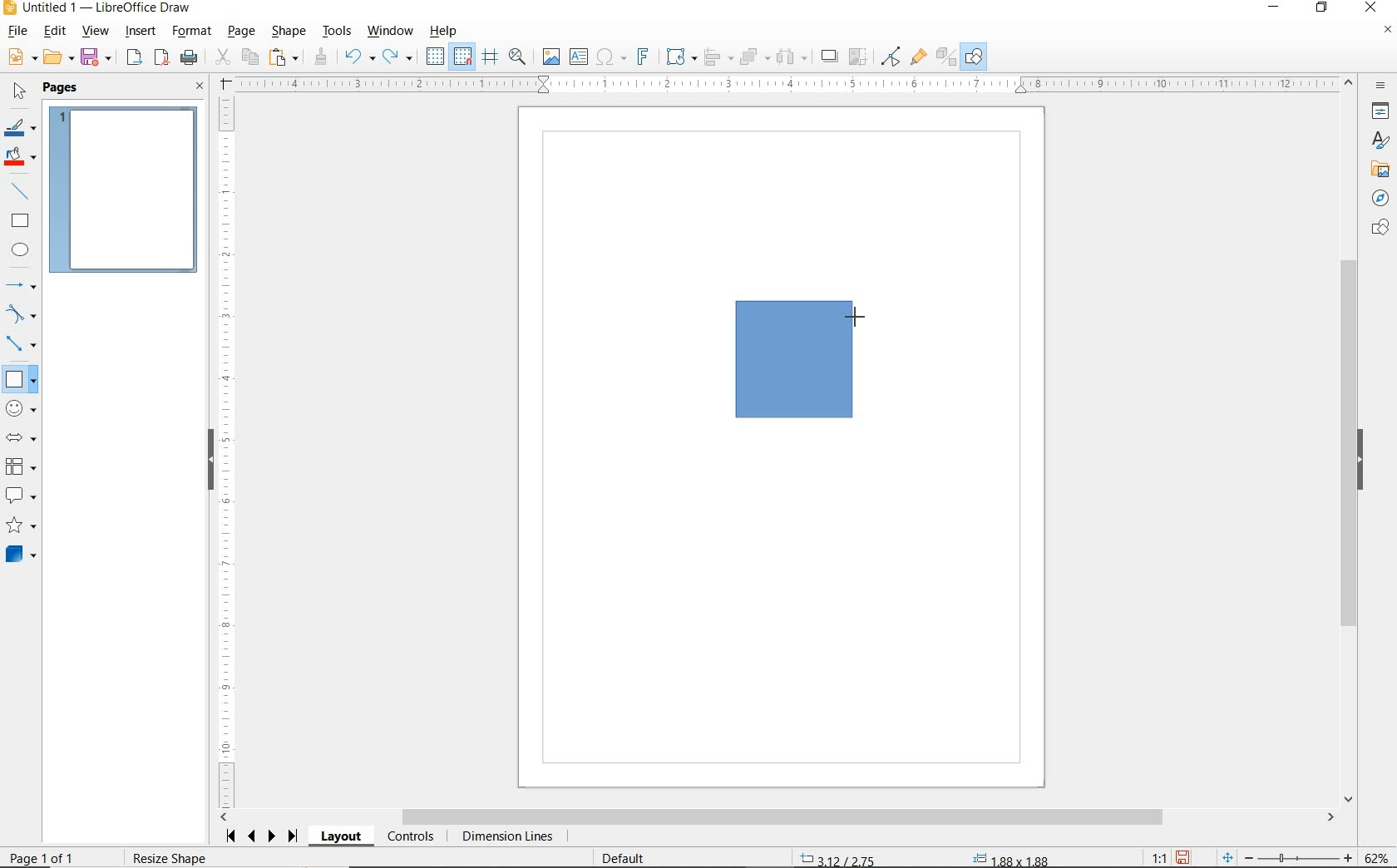  Describe the element at coordinates (22, 407) in the screenshot. I see `SYMBOL SHAPES` at that location.